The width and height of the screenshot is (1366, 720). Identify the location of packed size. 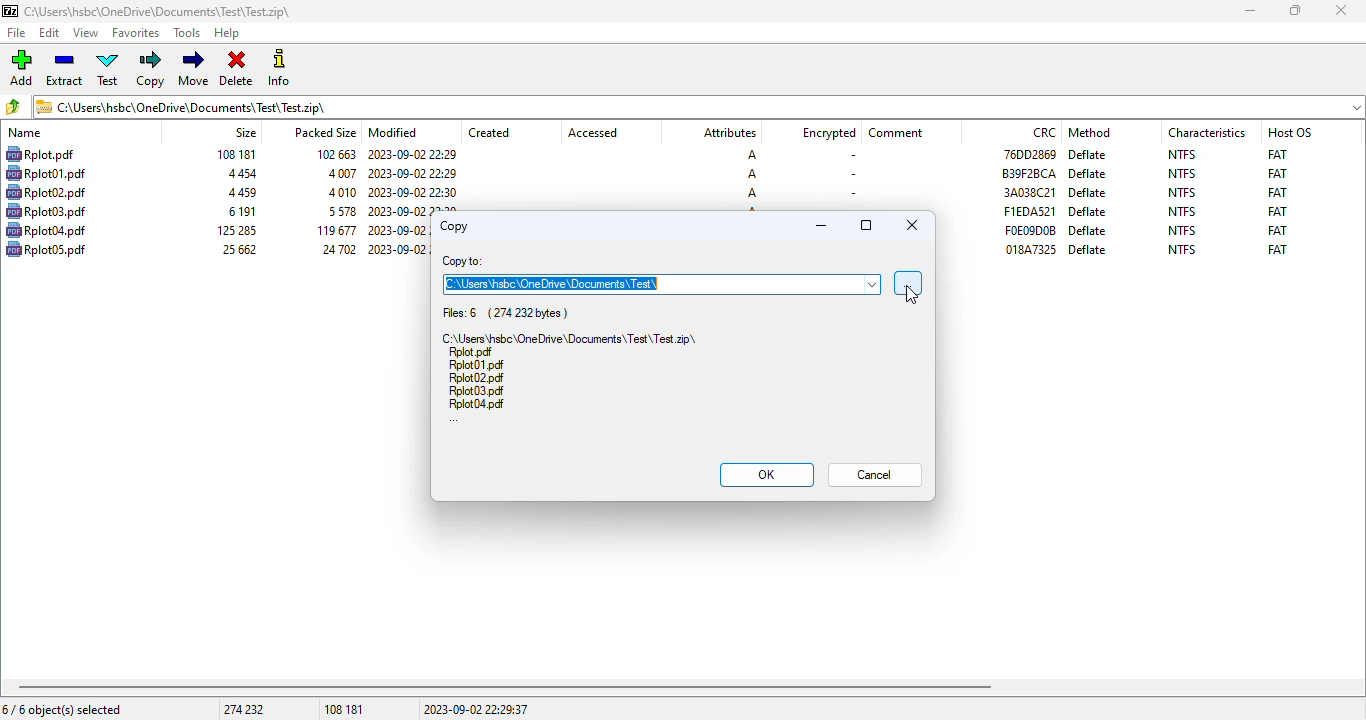
(324, 131).